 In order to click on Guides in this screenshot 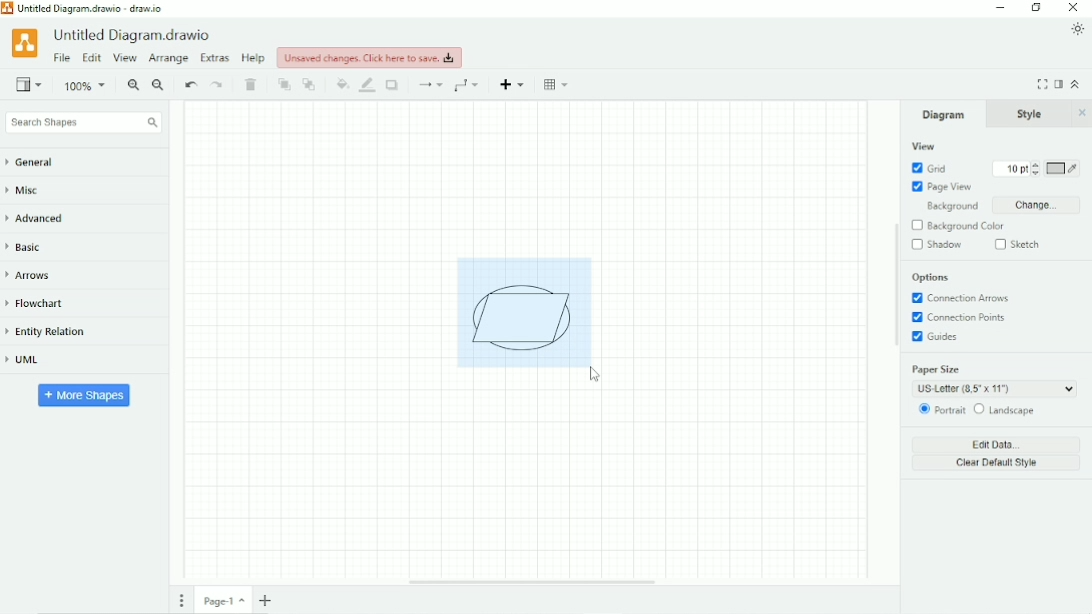, I will do `click(938, 338)`.